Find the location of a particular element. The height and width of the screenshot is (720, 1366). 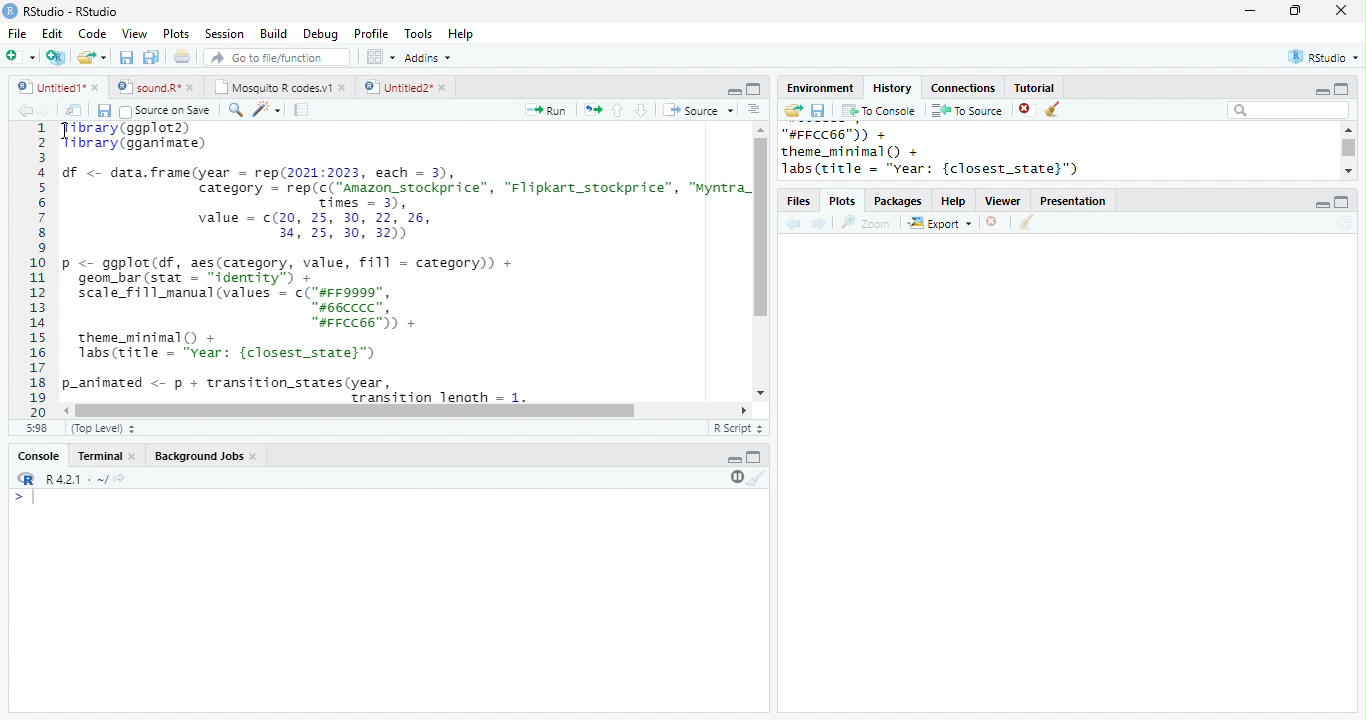

line numbering is located at coordinates (37, 271).